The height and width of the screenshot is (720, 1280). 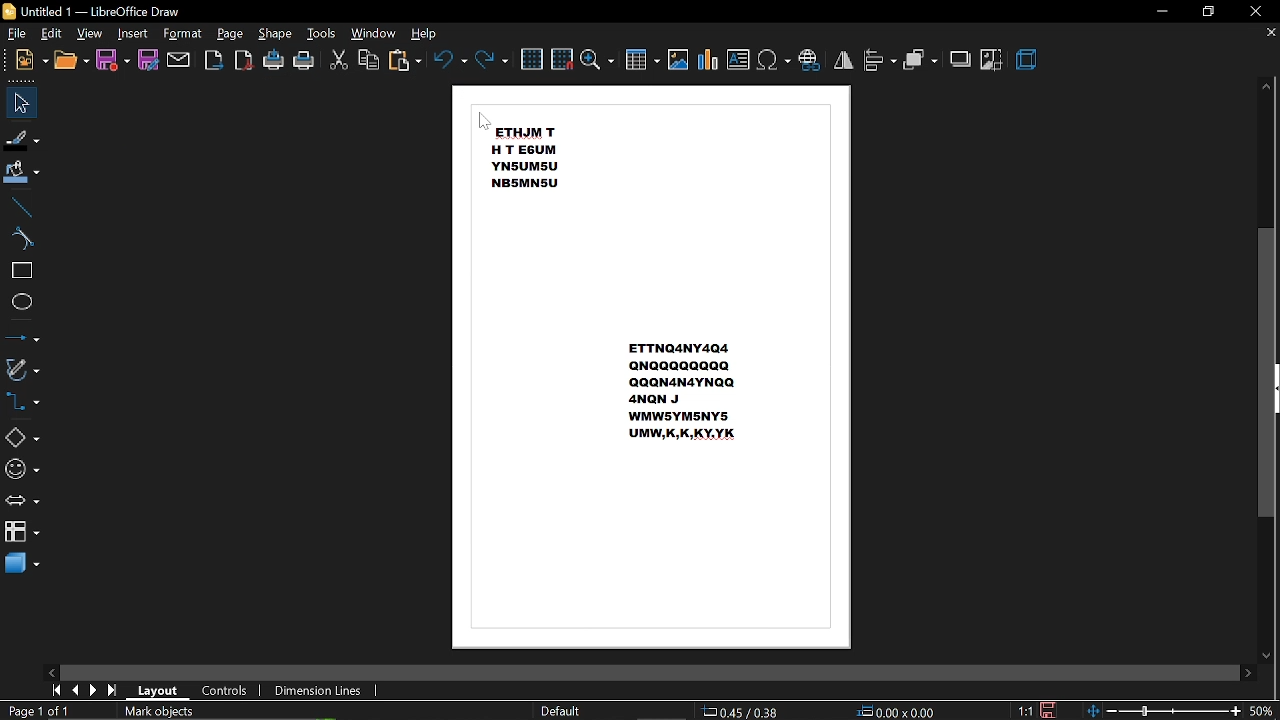 What do you see at coordinates (230, 33) in the screenshot?
I see `page` at bounding box center [230, 33].